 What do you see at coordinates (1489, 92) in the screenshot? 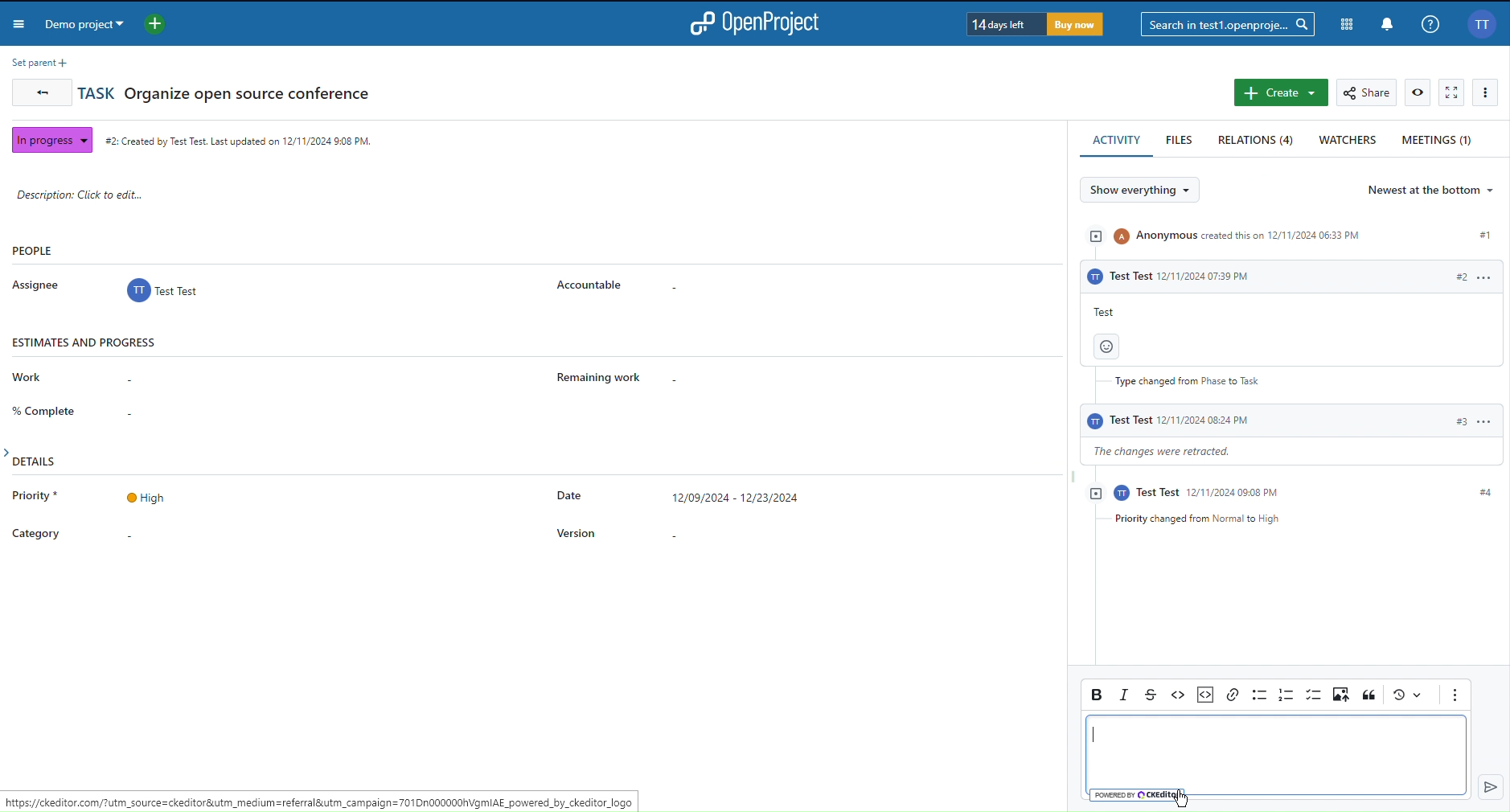
I see `Options` at bounding box center [1489, 92].